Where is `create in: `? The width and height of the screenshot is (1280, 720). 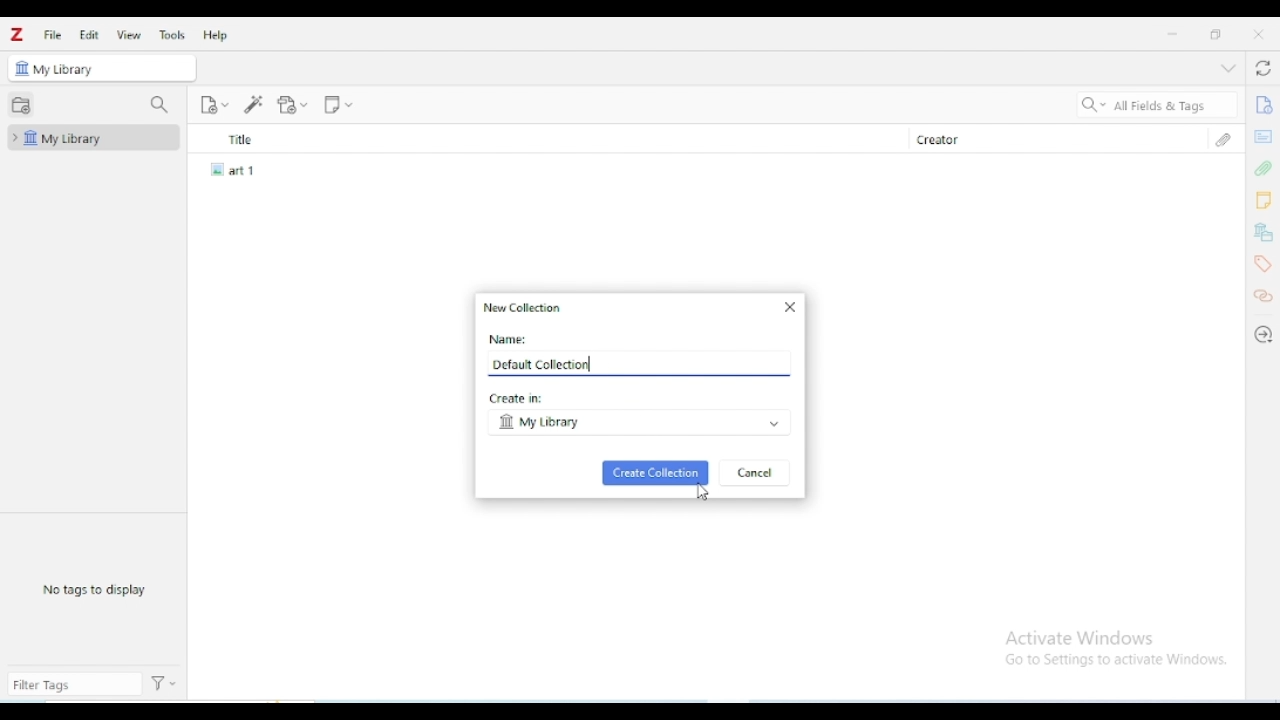
create in:  is located at coordinates (518, 398).